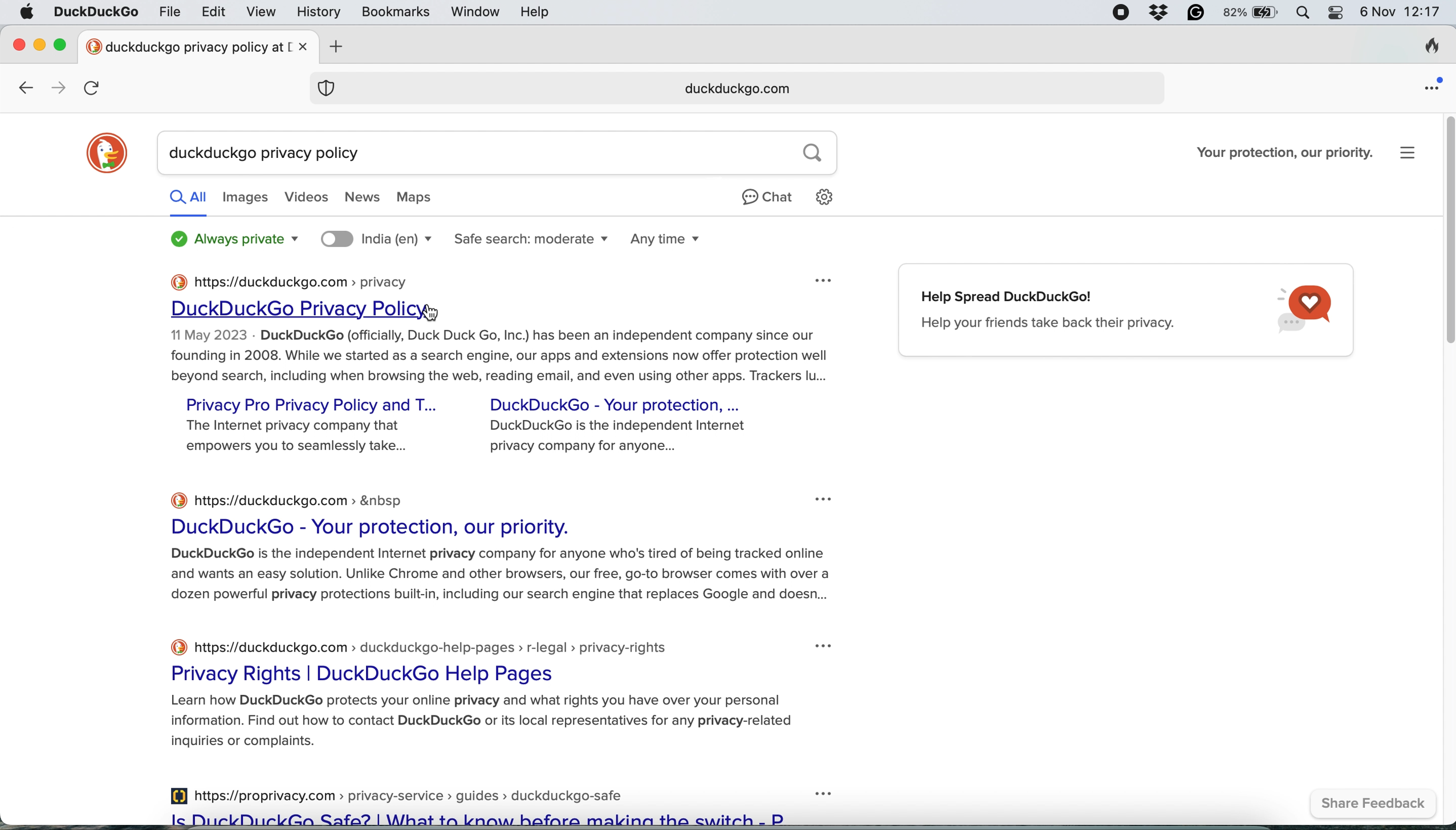 The height and width of the screenshot is (830, 1456). Describe the element at coordinates (1424, 48) in the screenshot. I see `clear browsing history` at that location.